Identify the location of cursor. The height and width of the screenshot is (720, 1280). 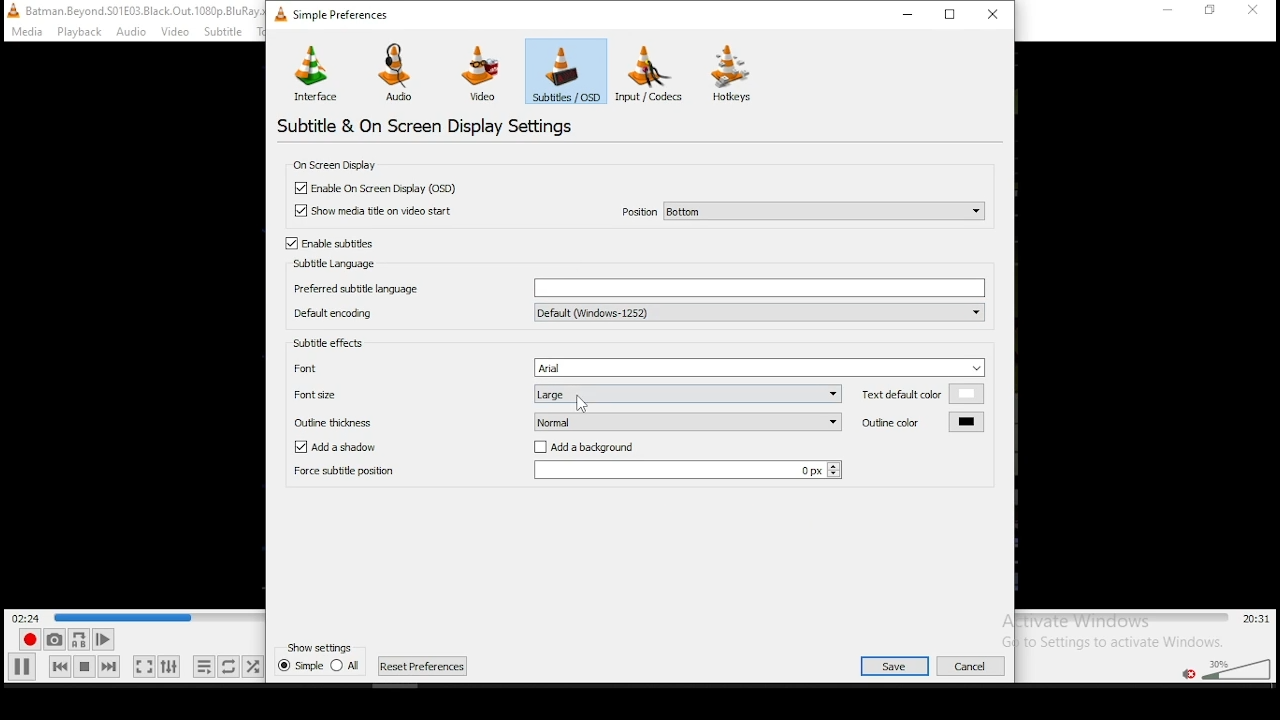
(582, 403).